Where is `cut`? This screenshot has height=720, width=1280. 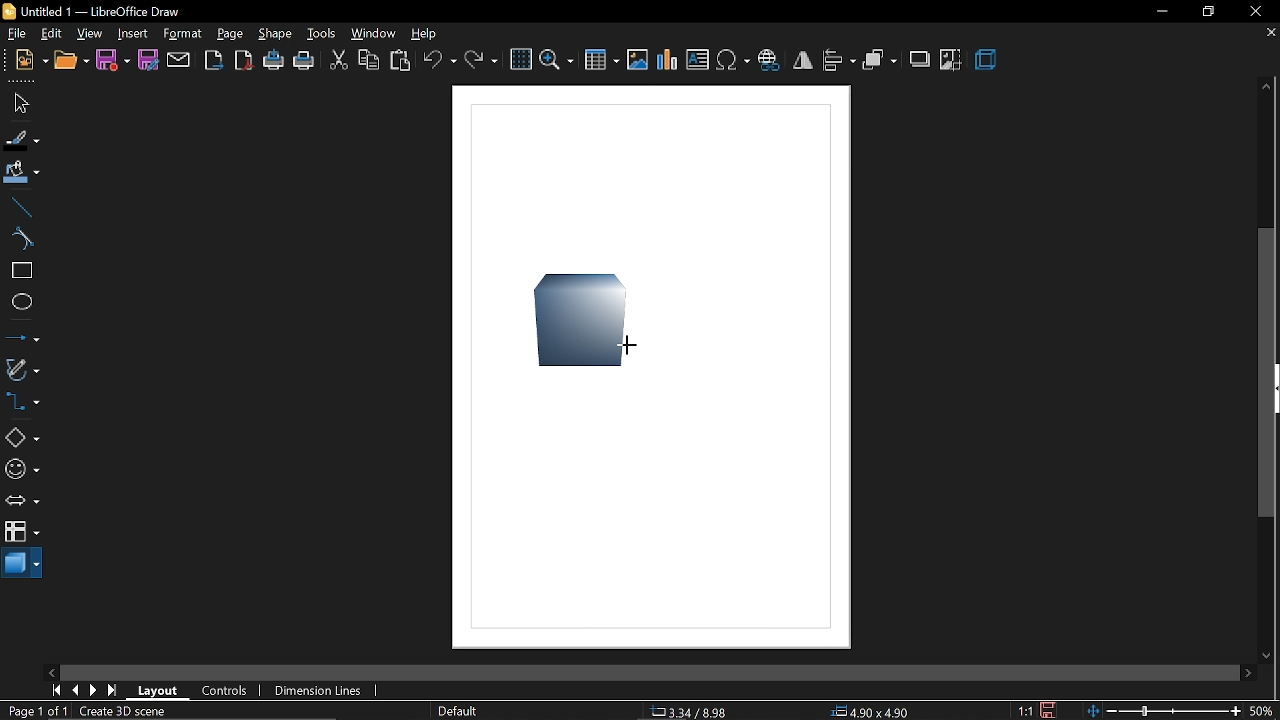 cut is located at coordinates (339, 63).